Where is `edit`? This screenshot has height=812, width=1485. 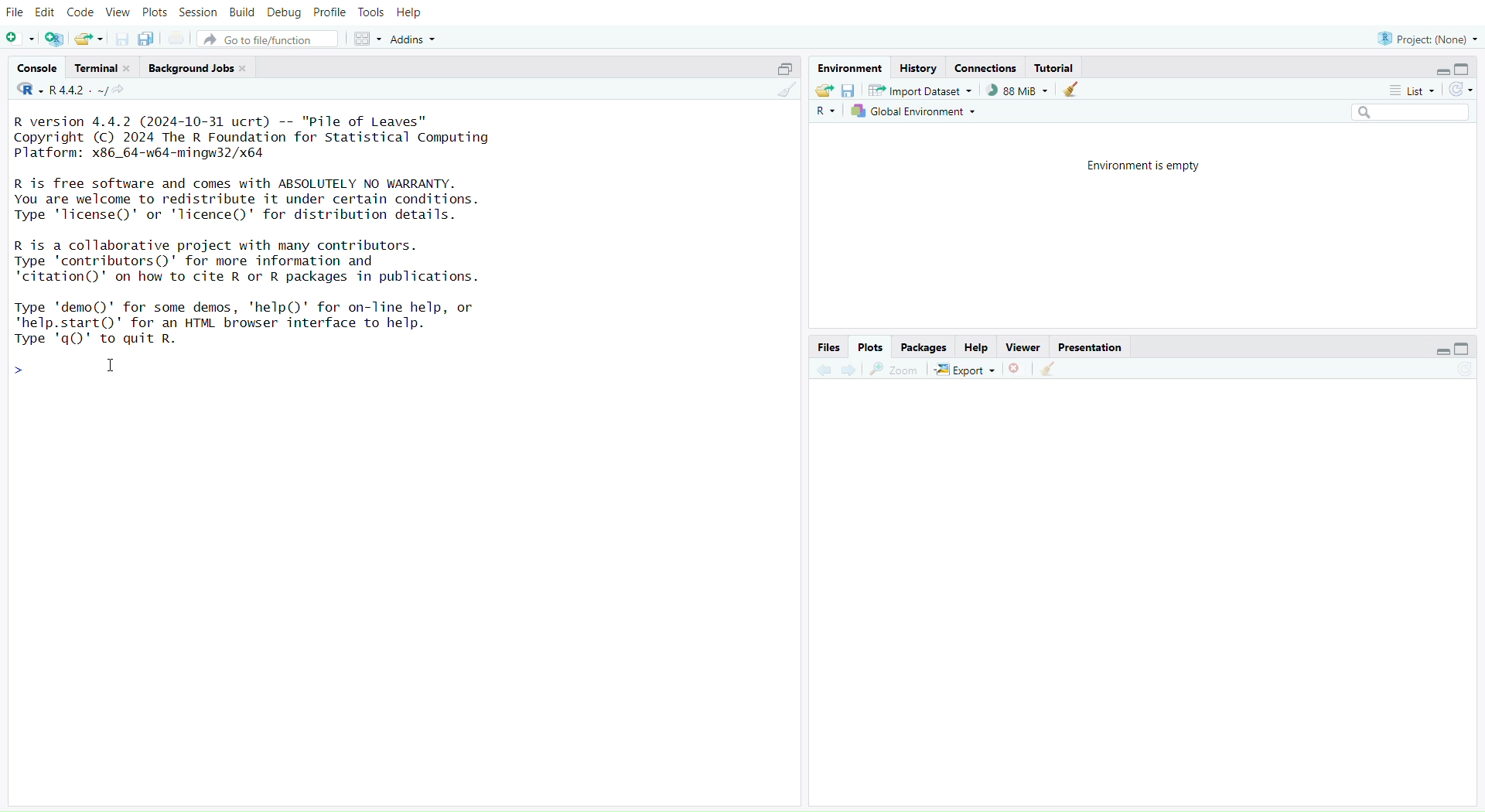 edit is located at coordinates (46, 12).